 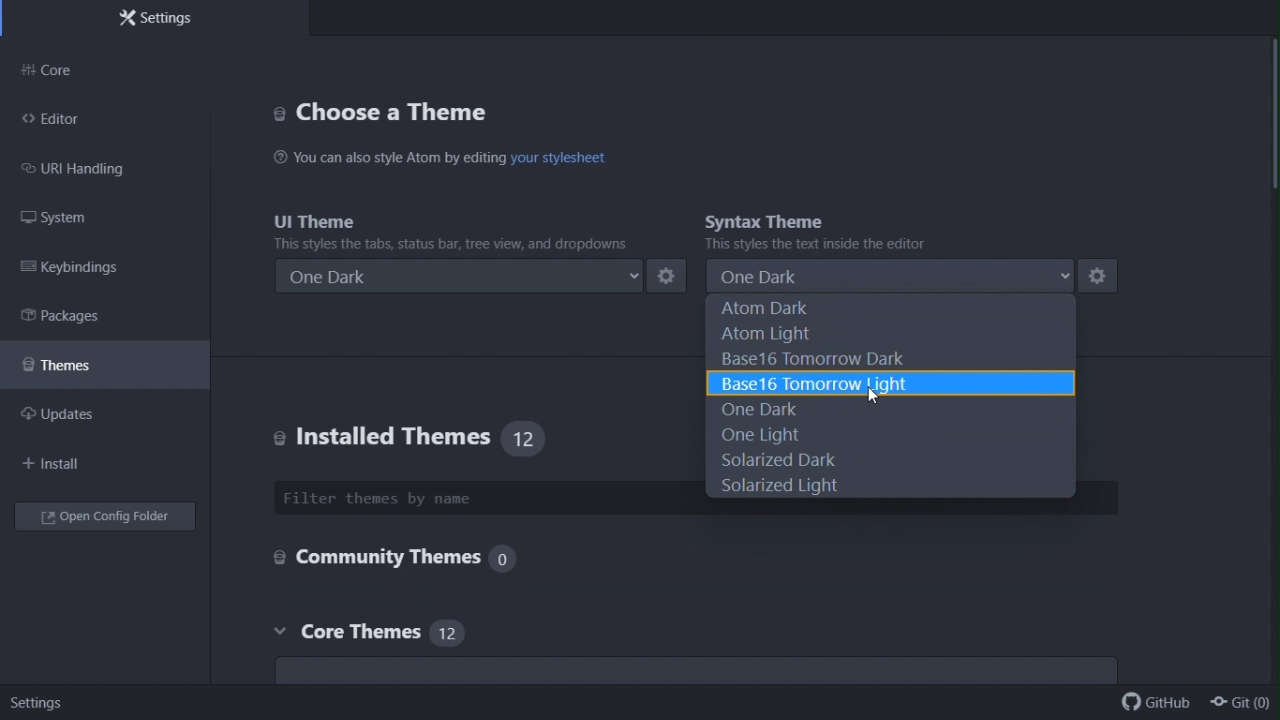 What do you see at coordinates (63, 121) in the screenshot?
I see `Editor` at bounding box center [63, 121].